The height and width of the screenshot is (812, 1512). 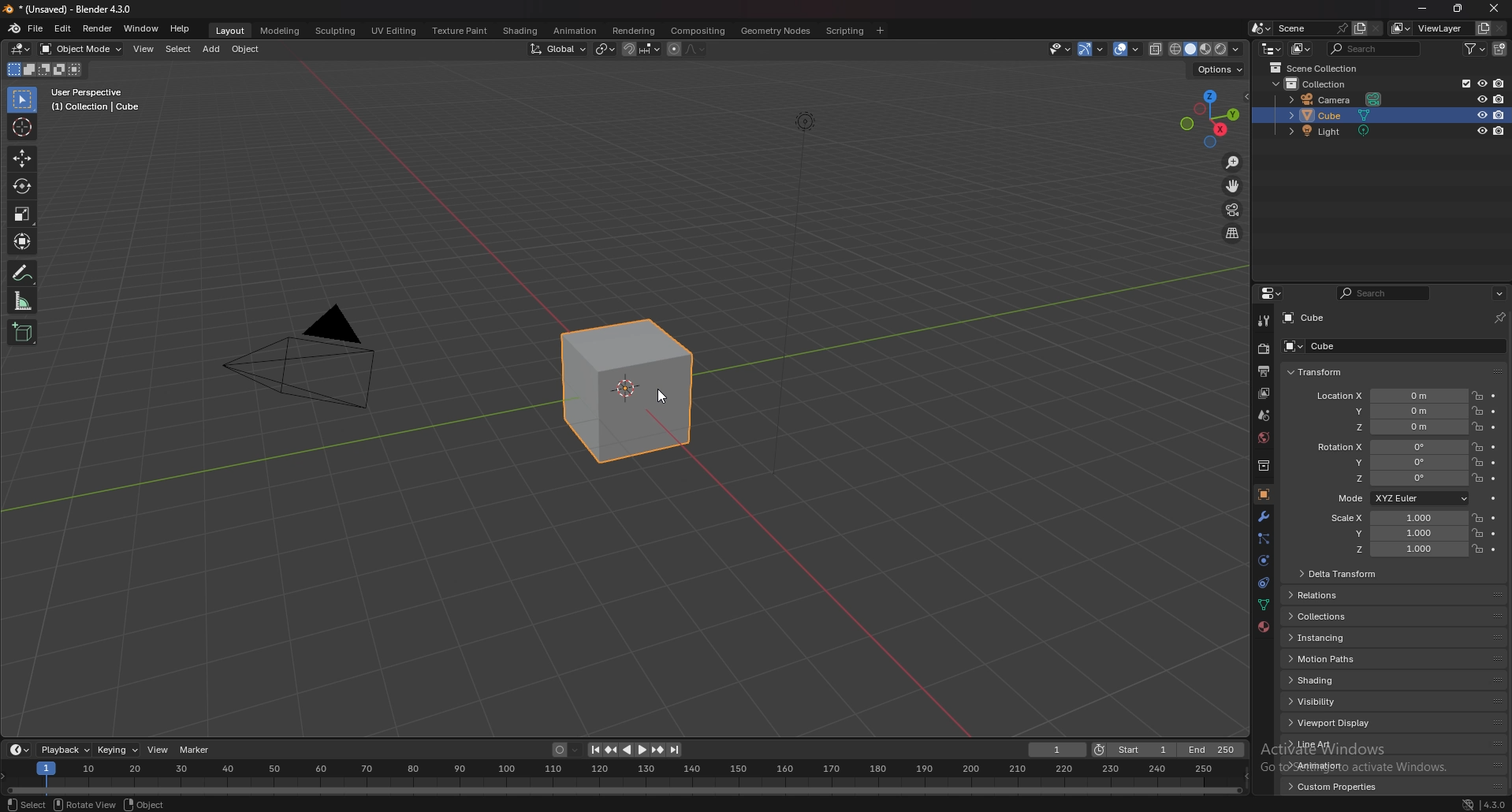 What do you see at coordinates (1387, 292) in the screenshot?
I see `display filter` at bounding box center [1387, 292].